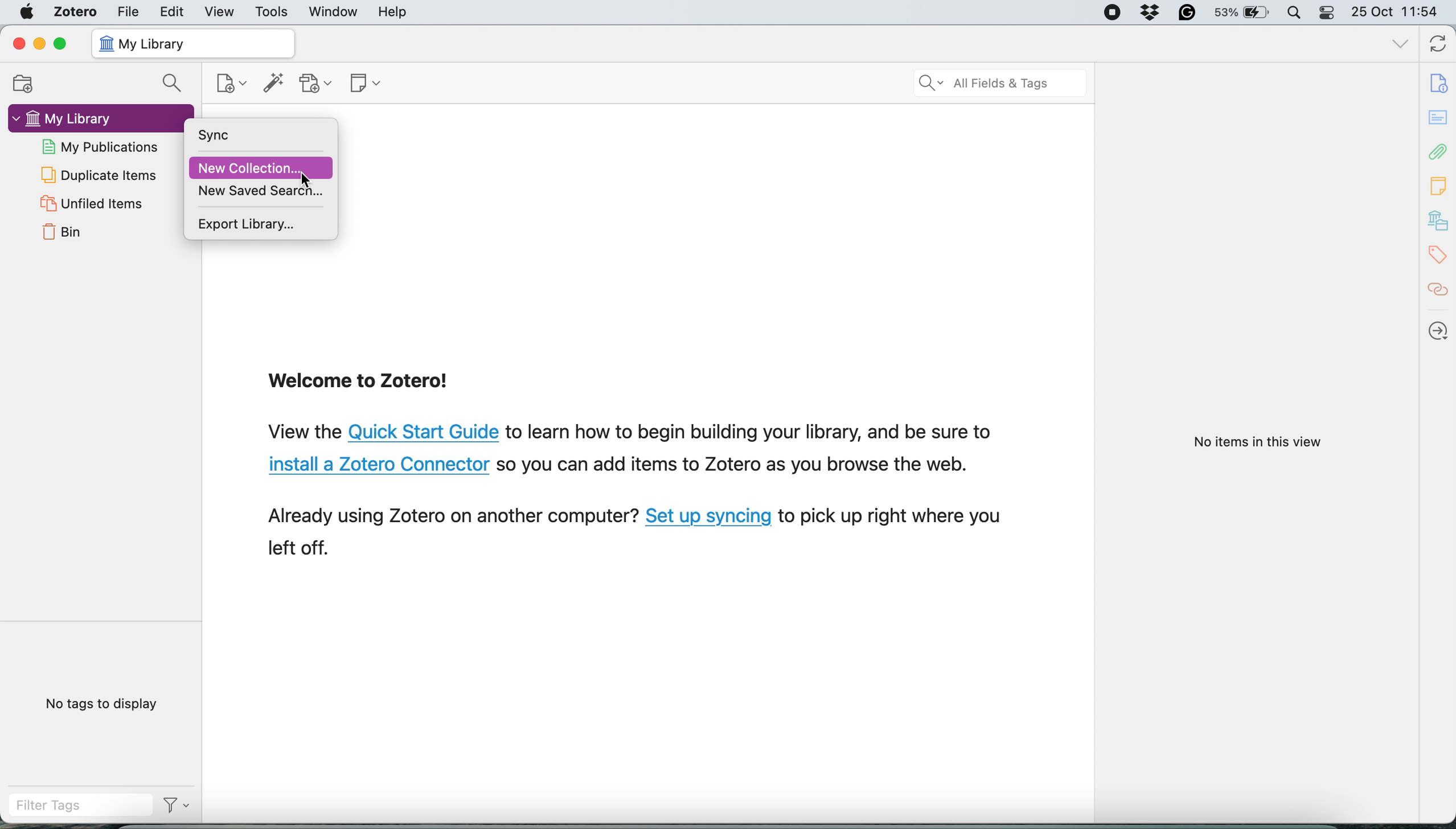  I want to click on system logo, so click(25, 12).